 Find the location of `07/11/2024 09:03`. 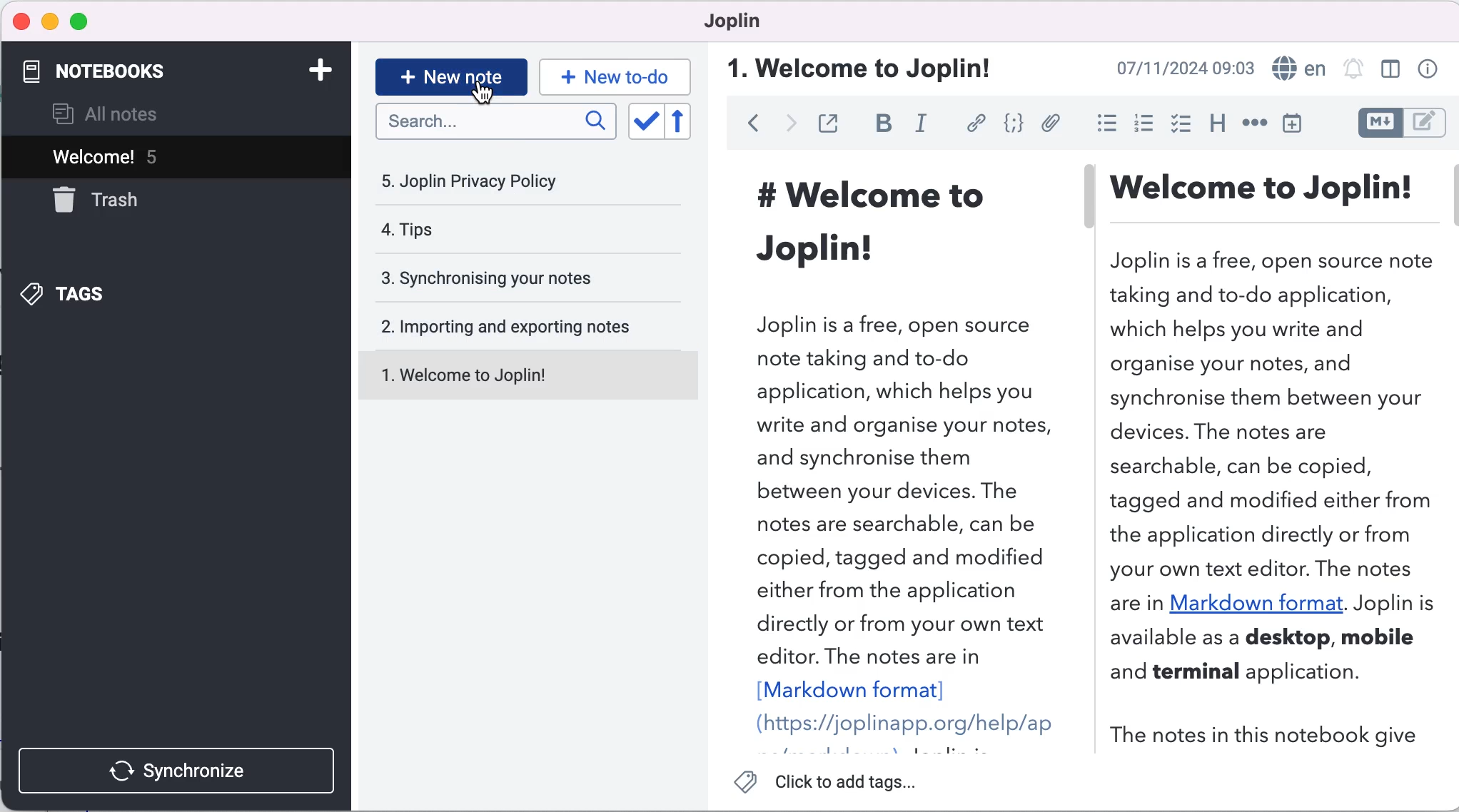

07/11/2024 09:03 is located at coordinates (1186, 68).